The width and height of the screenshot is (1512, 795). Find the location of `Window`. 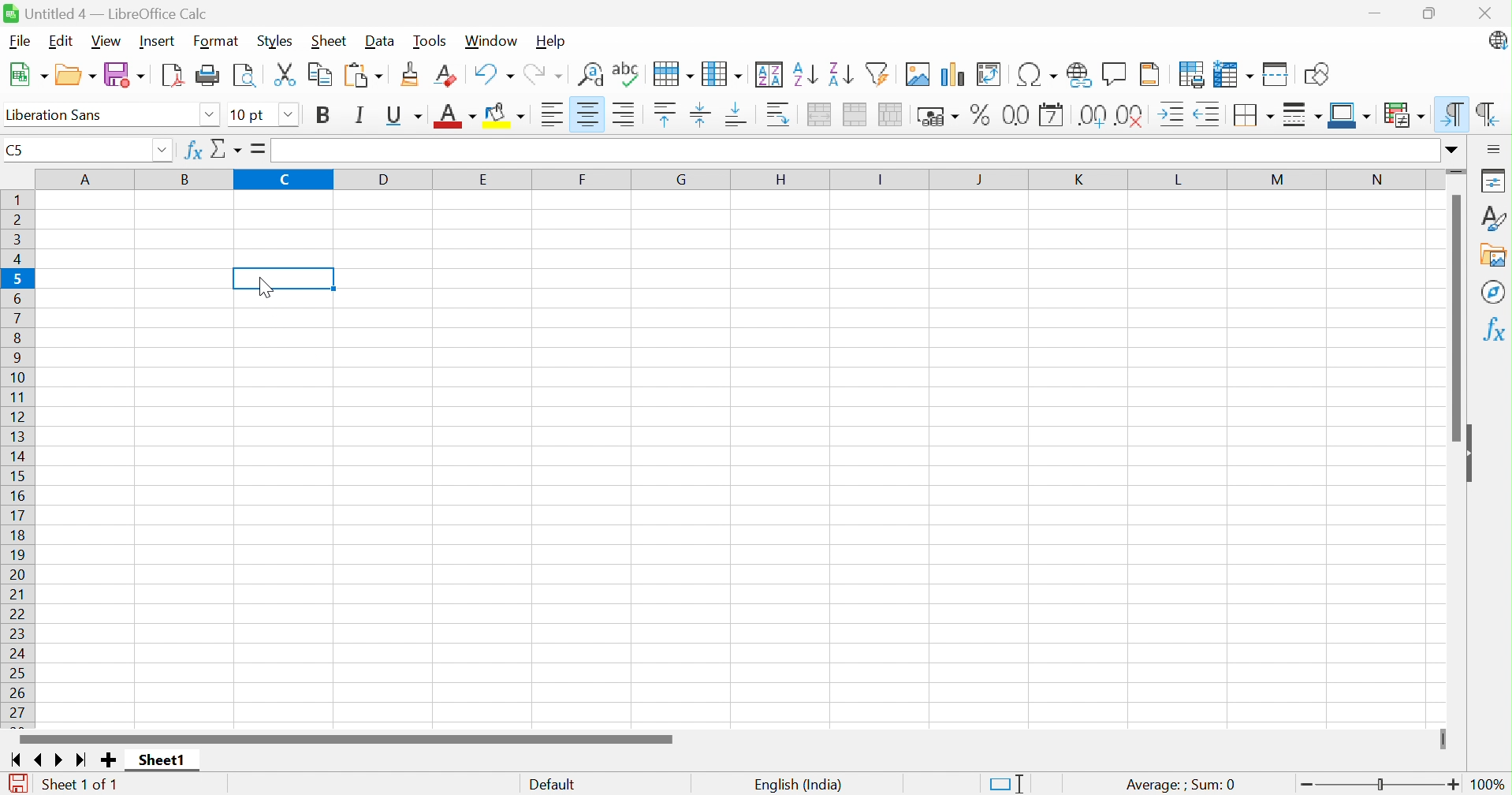

Window is located at coordinates (493, 40).